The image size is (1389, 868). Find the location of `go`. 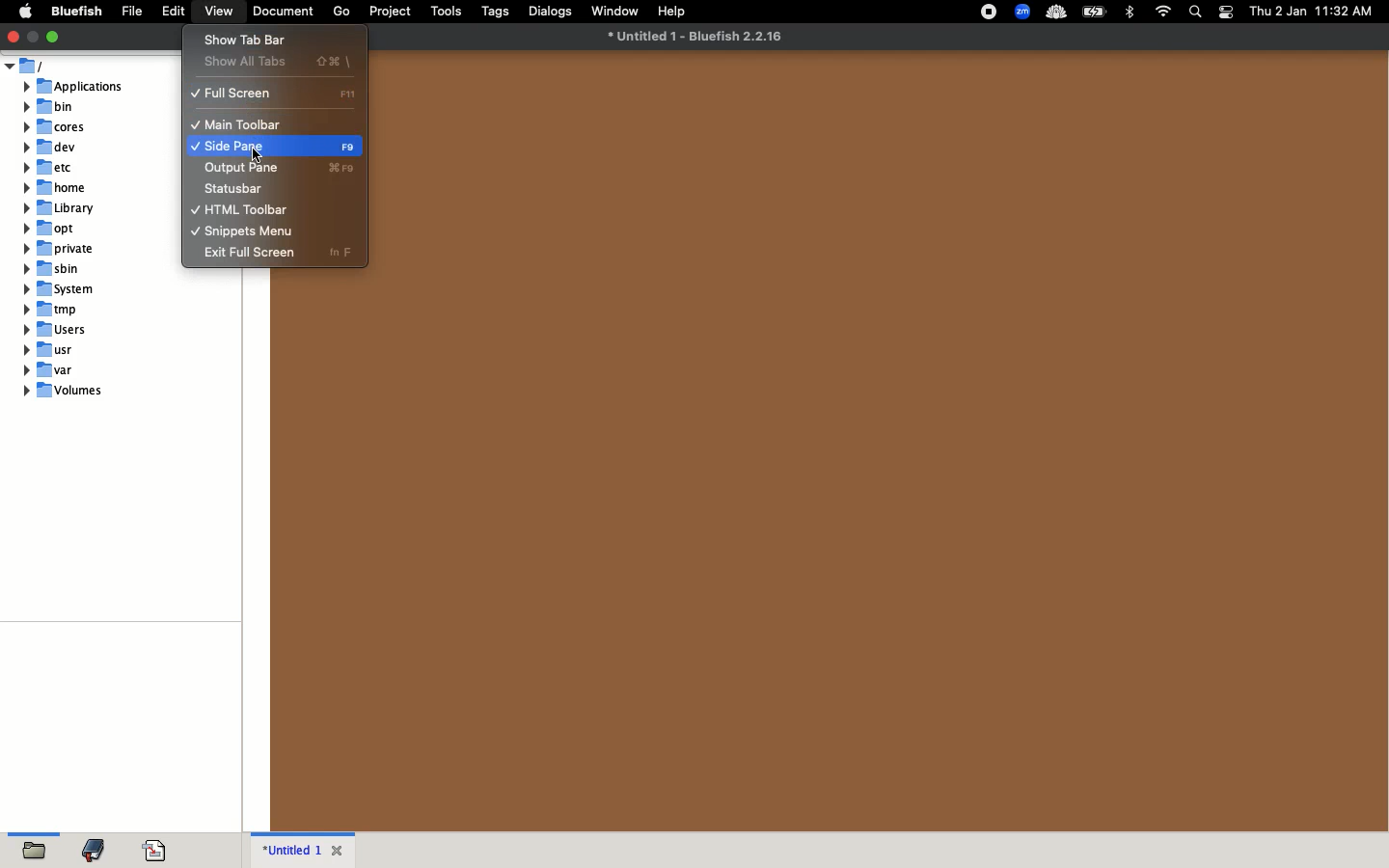

go is located at coordinates (341, 12).